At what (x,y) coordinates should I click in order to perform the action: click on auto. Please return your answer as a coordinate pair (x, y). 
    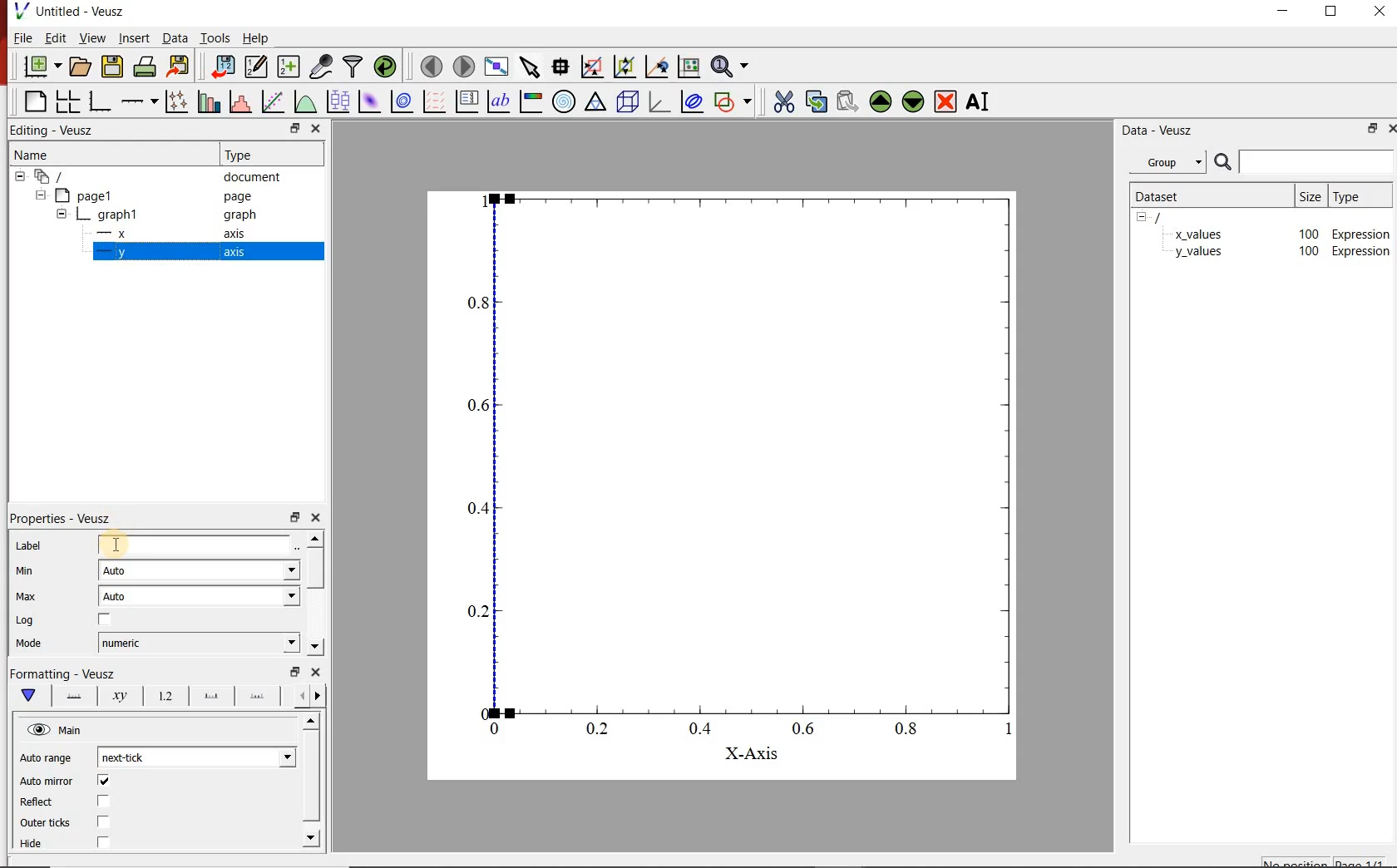
    Looking at the image, I should click on (200, 595).